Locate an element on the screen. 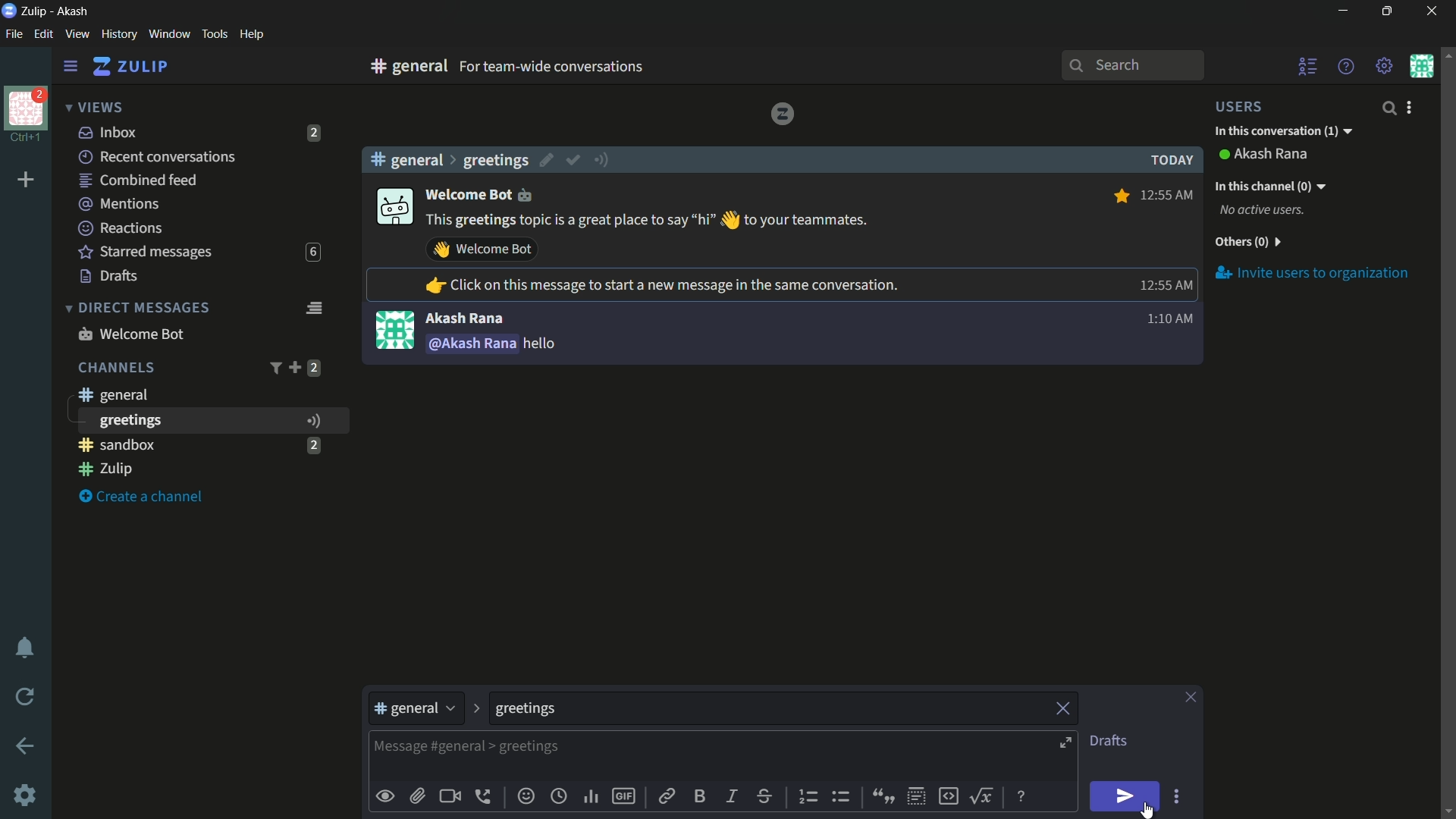  scroll up is located at coordinates (1447, 54).